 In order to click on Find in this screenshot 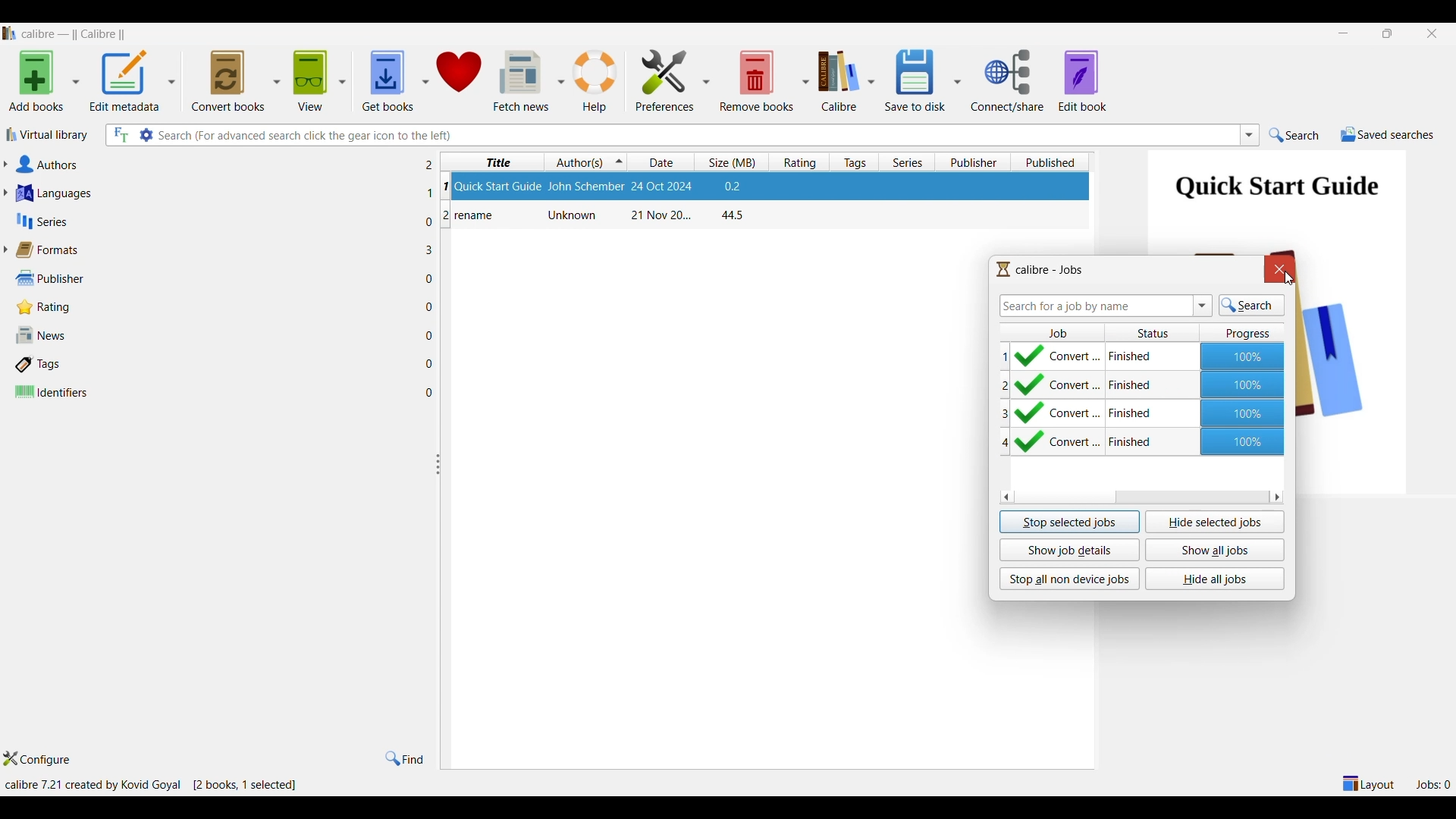, I will do `click(404, 759)`.